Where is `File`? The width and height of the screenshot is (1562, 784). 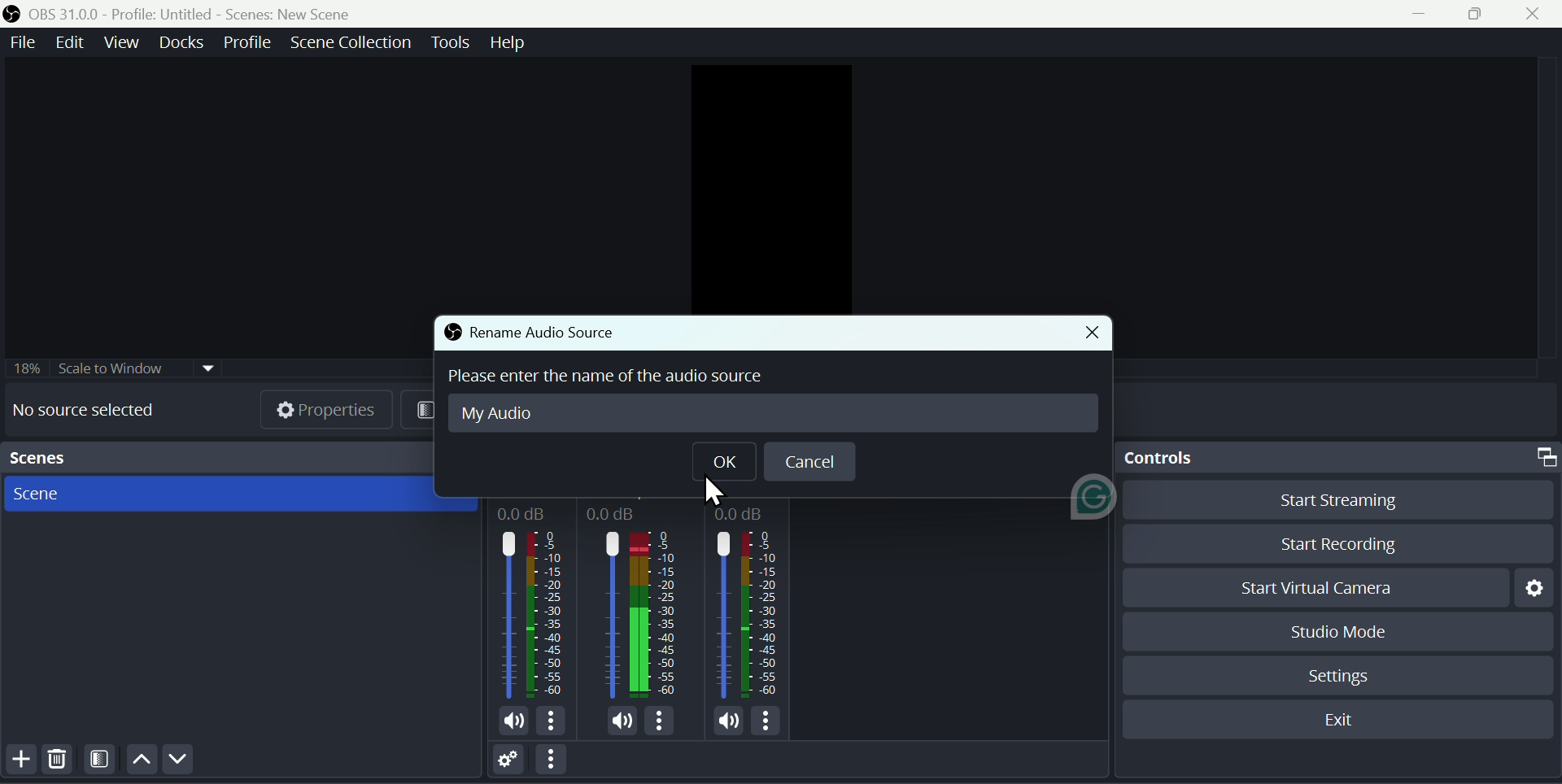
File is located at coordinates (24, 42).